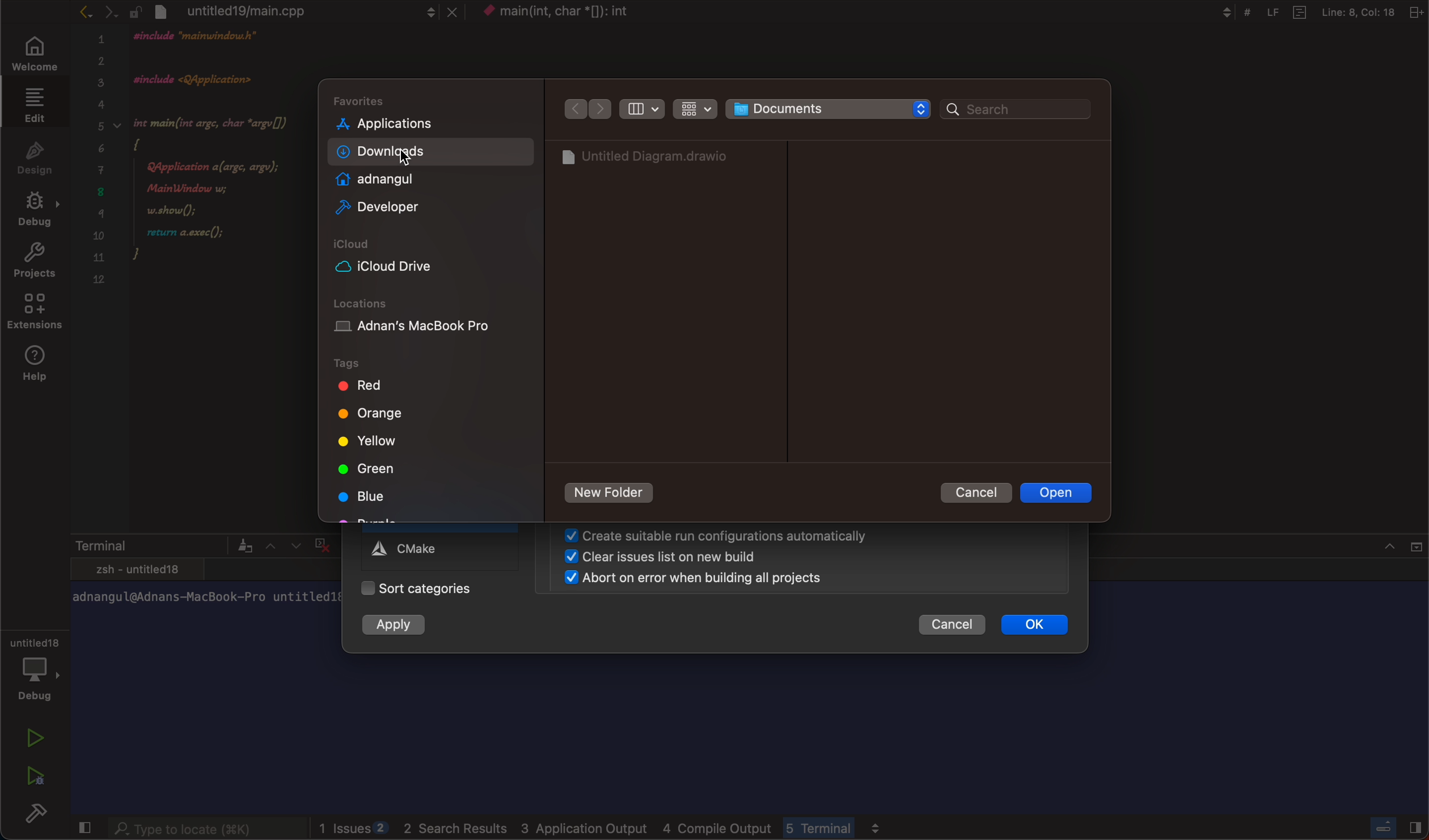 This screenshot has width=1429, height=840. What do you see at coordinates (32, 258) in the screenshot?
I see `projects` at bounding box center [32, 258].